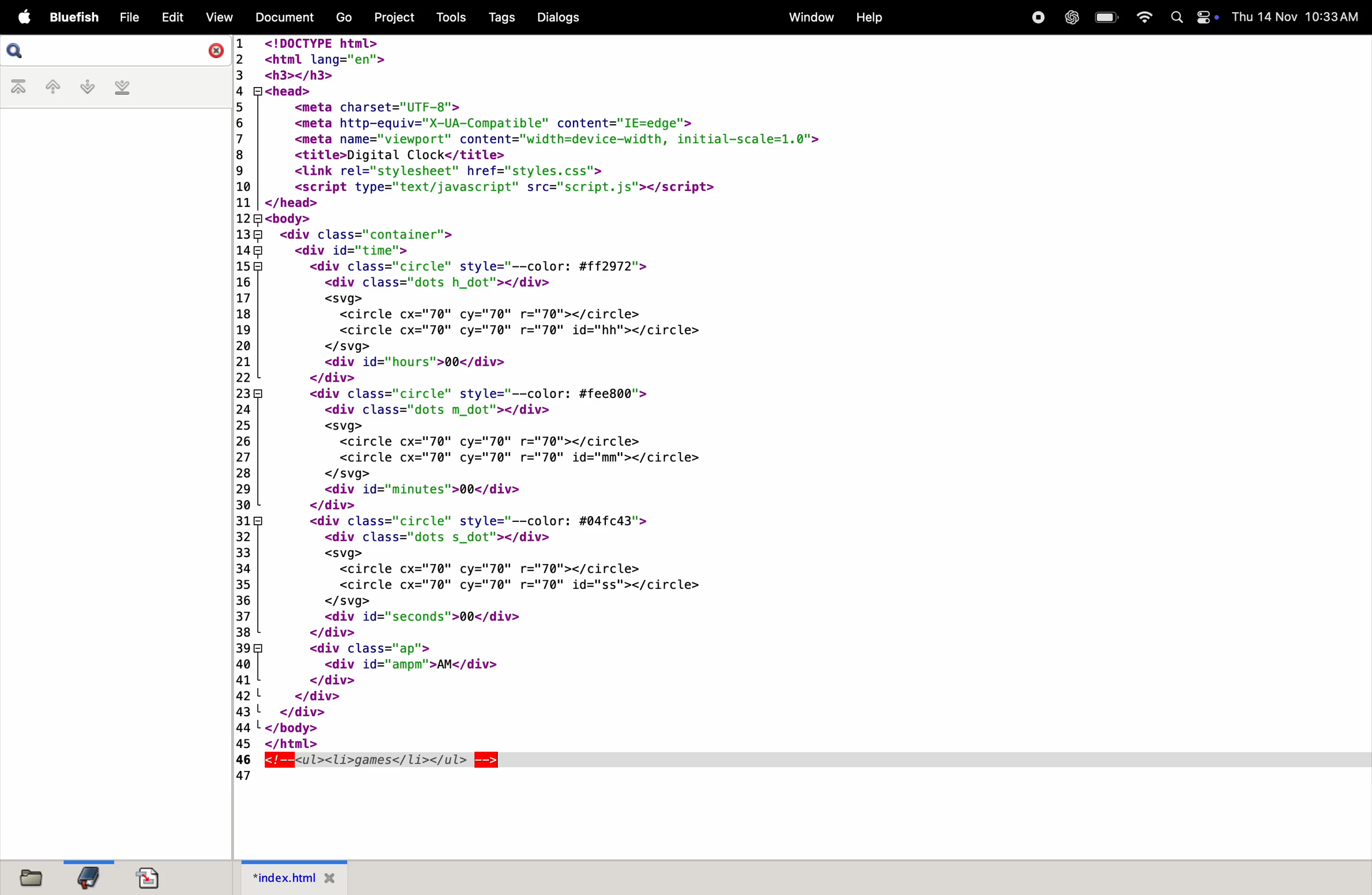  What do you see at coordinates (174, 17) in the screenshot?
I see `Edit` at bounding box center [174, 17].